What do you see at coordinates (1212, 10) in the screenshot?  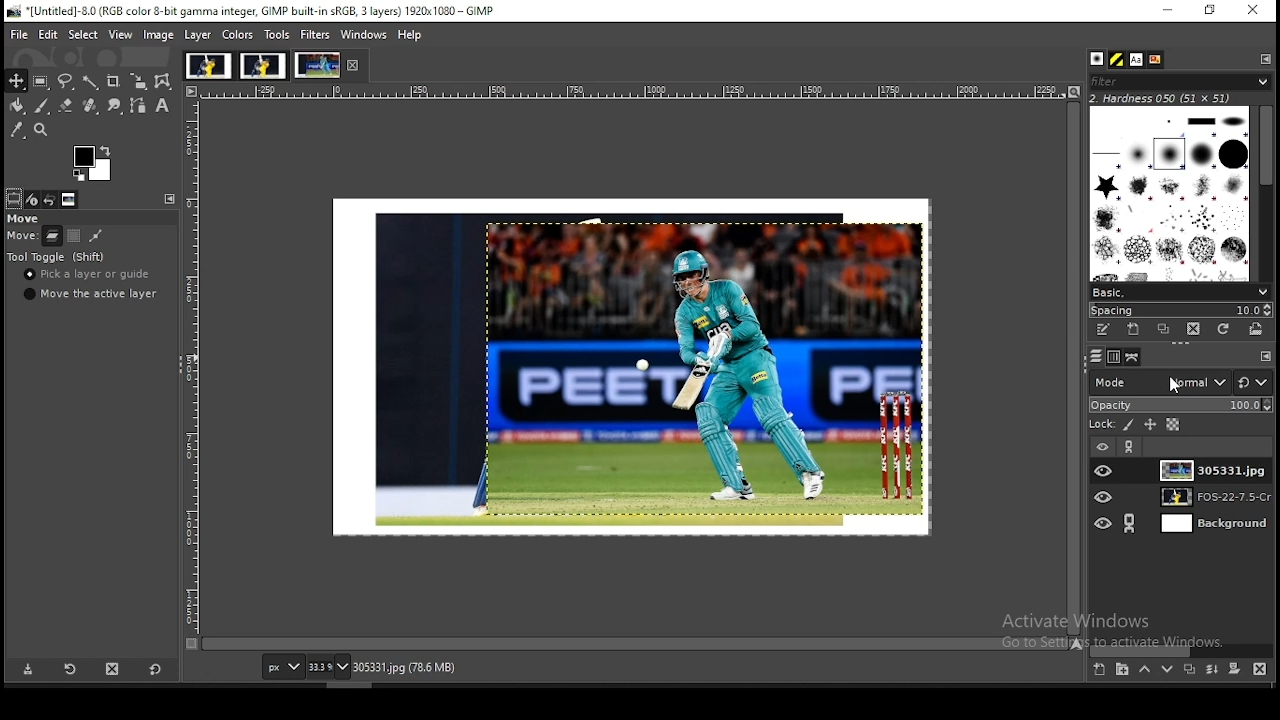 I see `restore` at bounding box center [1212, 10].